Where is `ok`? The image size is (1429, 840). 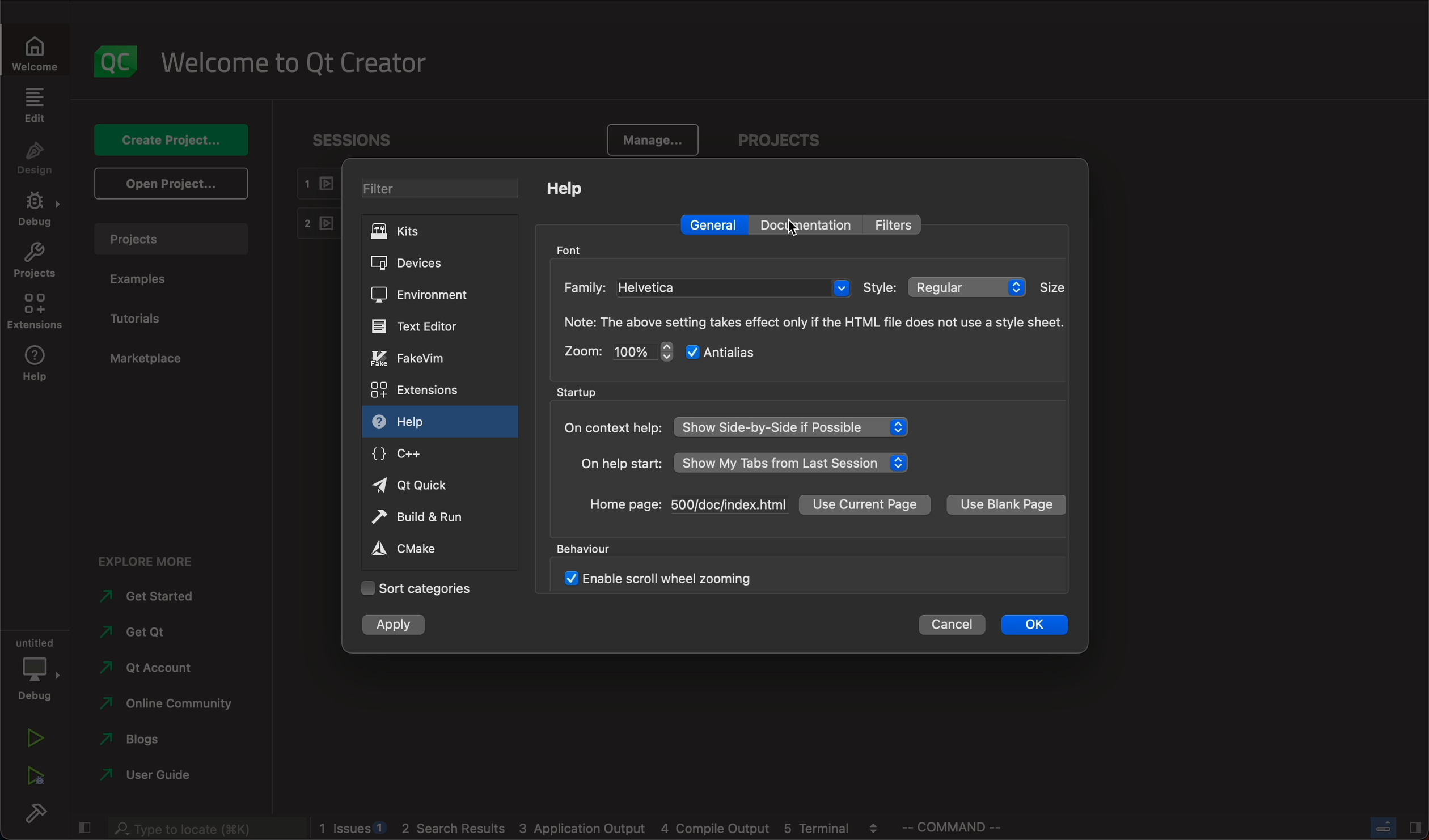 ok is located at coordinates (1033, 625).